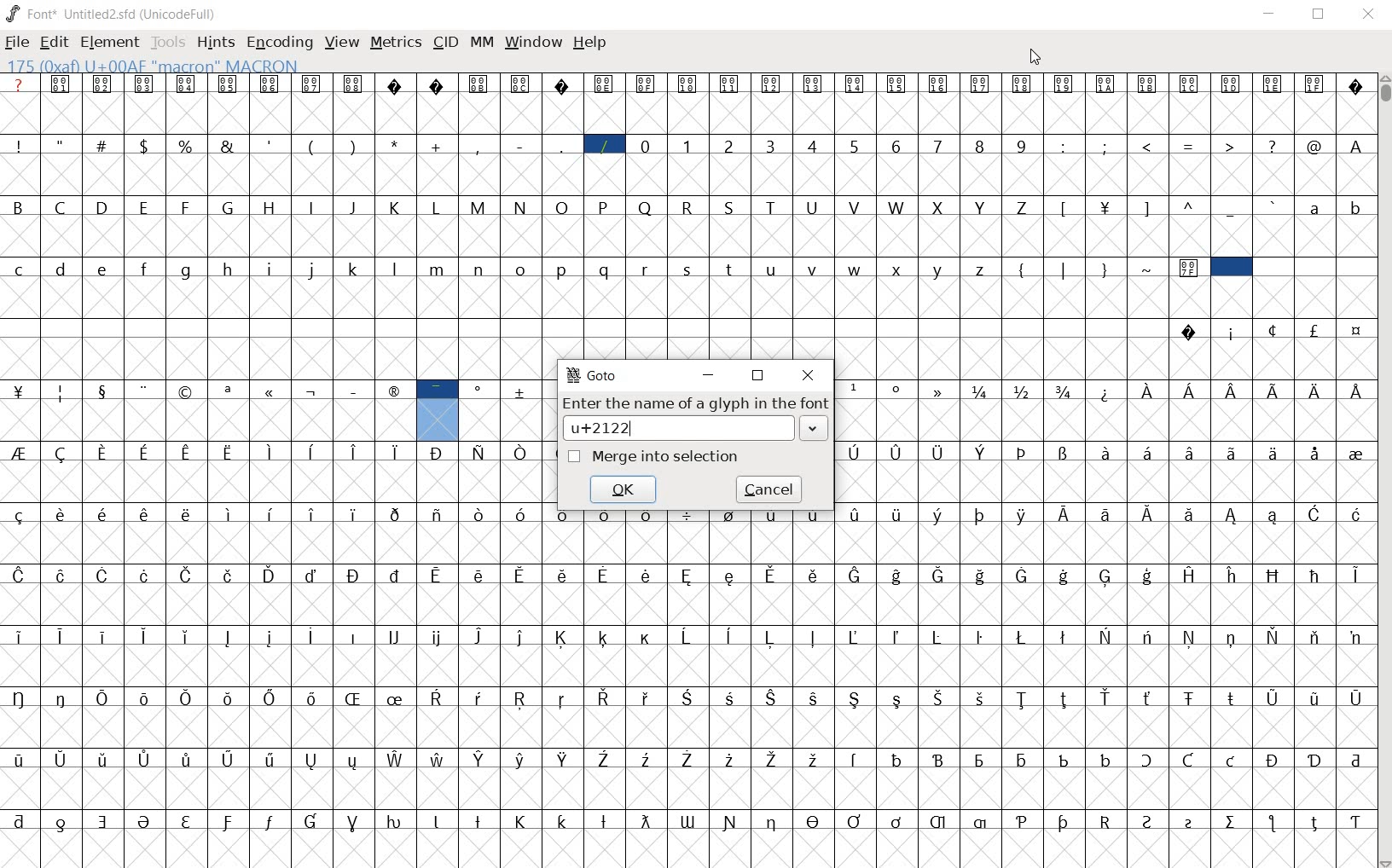 Image resolution: width=1392 pixels, height=868 pixels. Describe the element at coordinates (1018, 718) in the screenshot. I see `Latin extended characters` at that location.